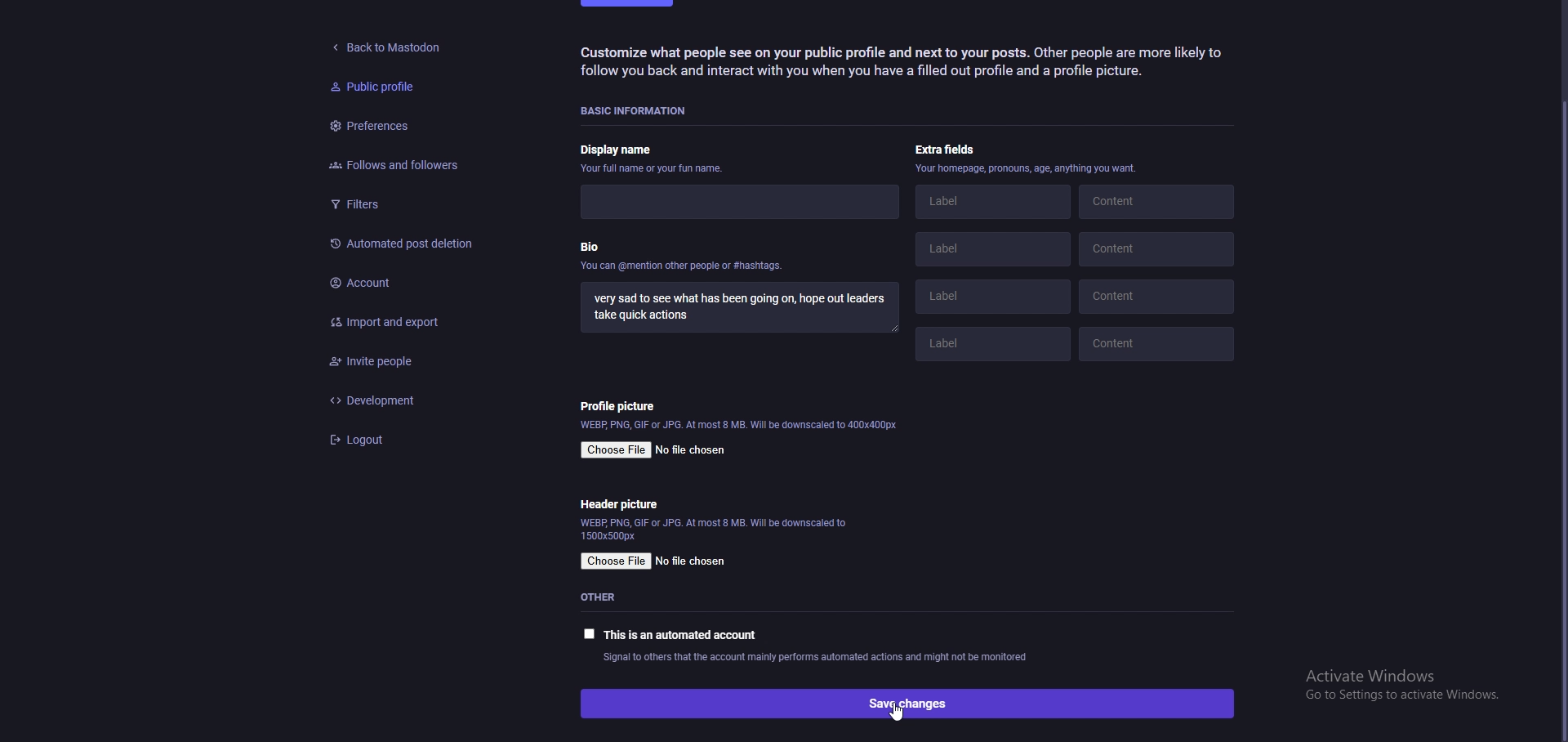  I want to click on content, so click(1160, 251).